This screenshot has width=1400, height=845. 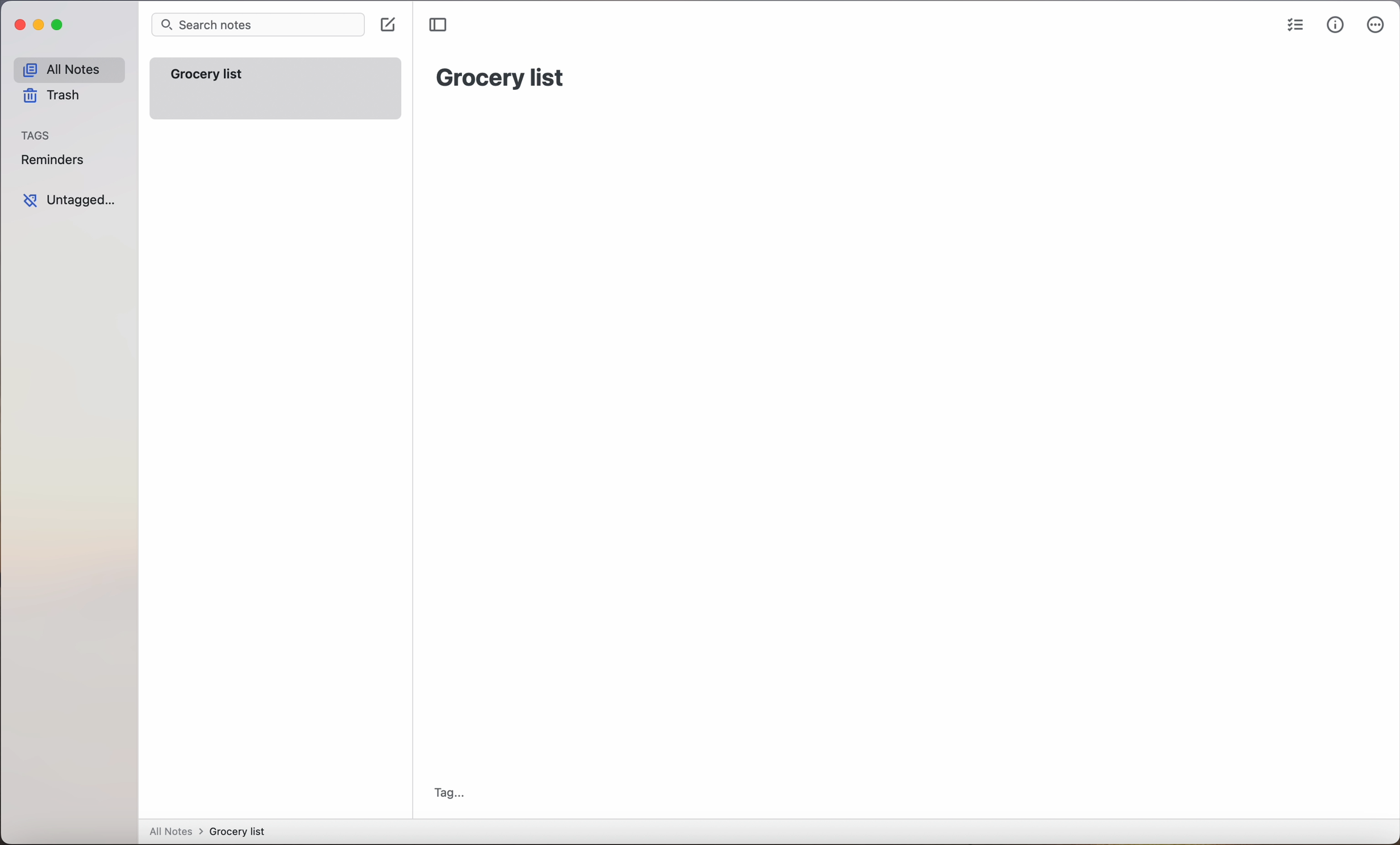 I want to click on search bar, so click(x=257, y=26).